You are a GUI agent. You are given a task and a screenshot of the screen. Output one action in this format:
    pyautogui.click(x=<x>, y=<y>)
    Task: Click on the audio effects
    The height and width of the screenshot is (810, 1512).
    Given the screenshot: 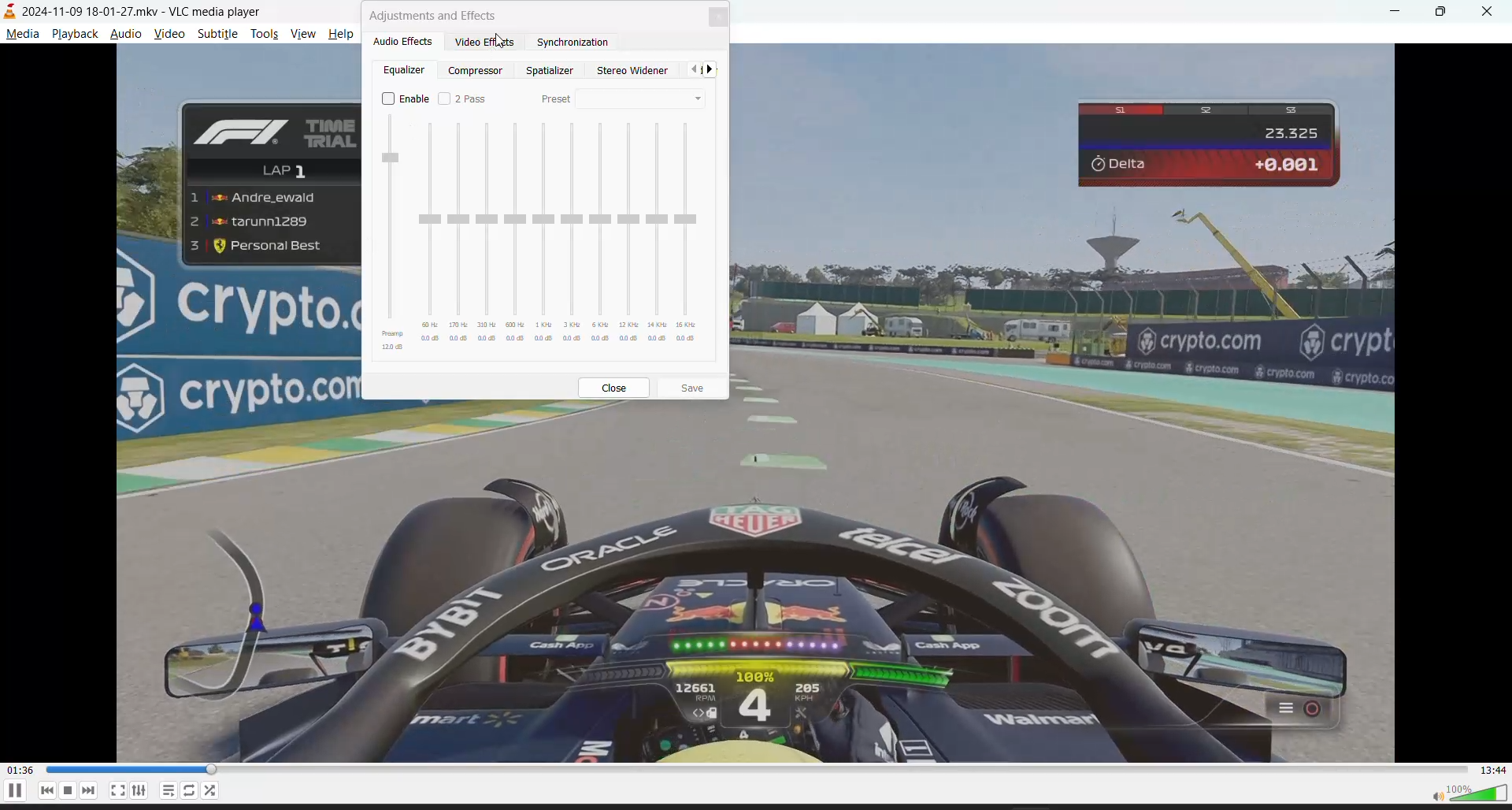 What is the action you would take?
    pyautogui.click(x=403, y=42)
    